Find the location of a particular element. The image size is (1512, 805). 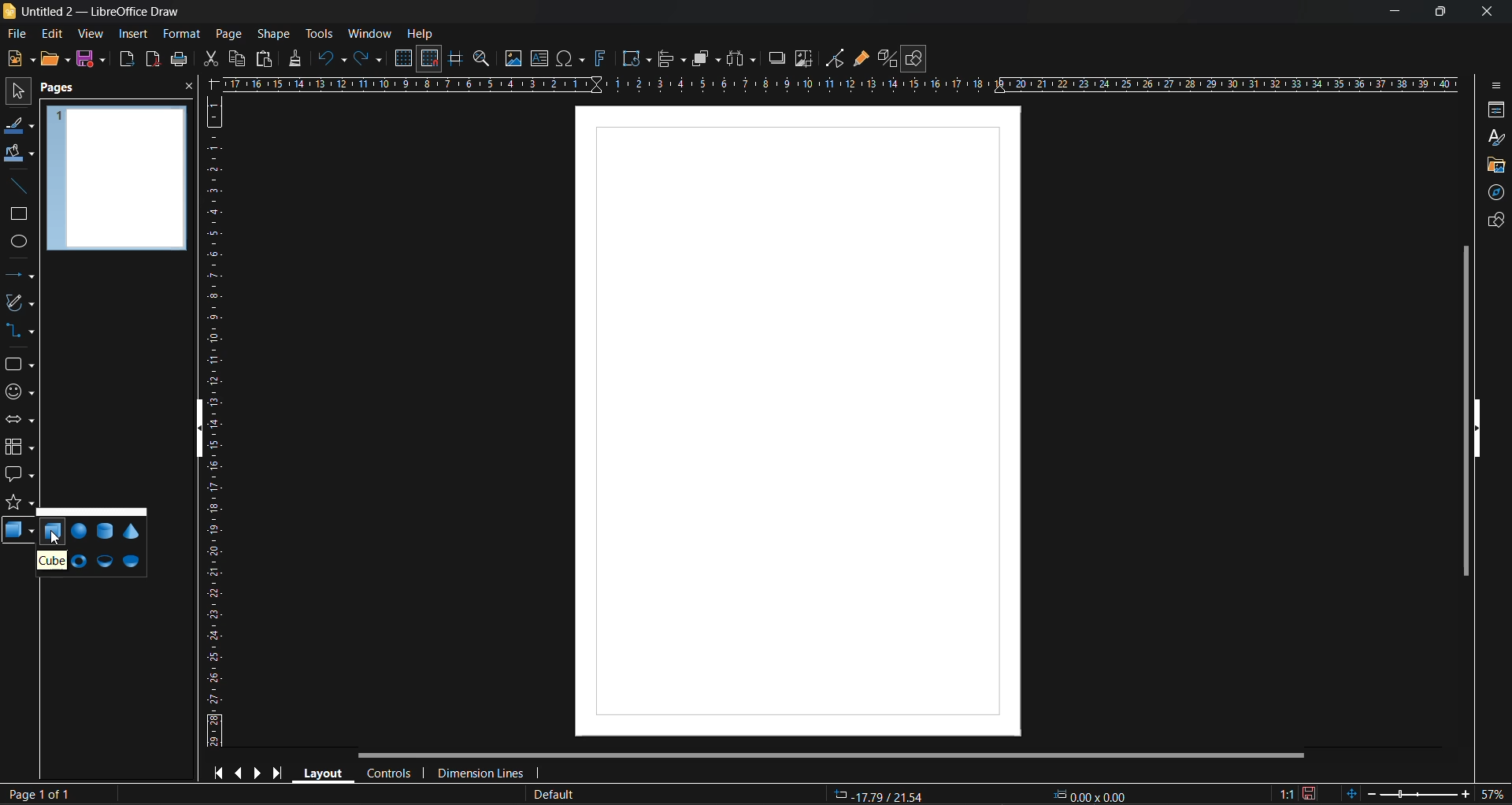

rectangle is located at coordinates (19, 215).